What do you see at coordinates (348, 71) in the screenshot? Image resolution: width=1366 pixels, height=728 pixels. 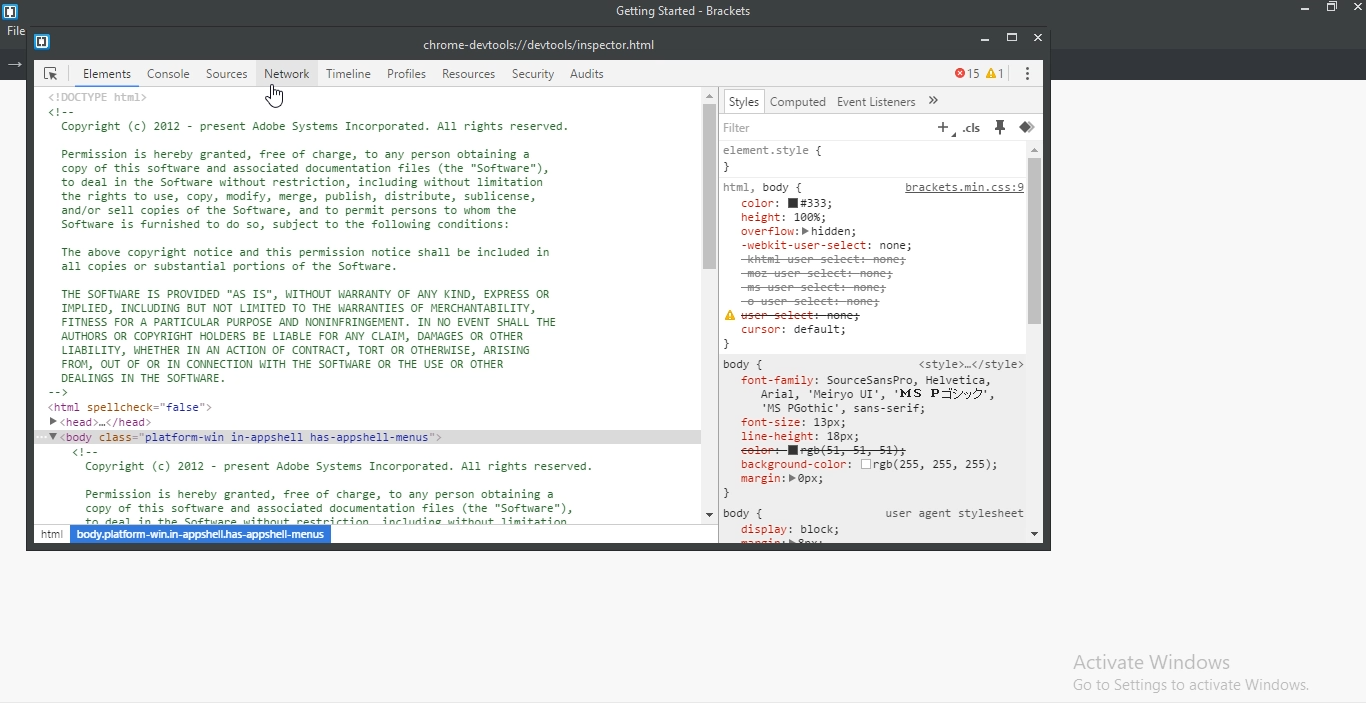 I see `timeline` at bounding box center [348, 71].